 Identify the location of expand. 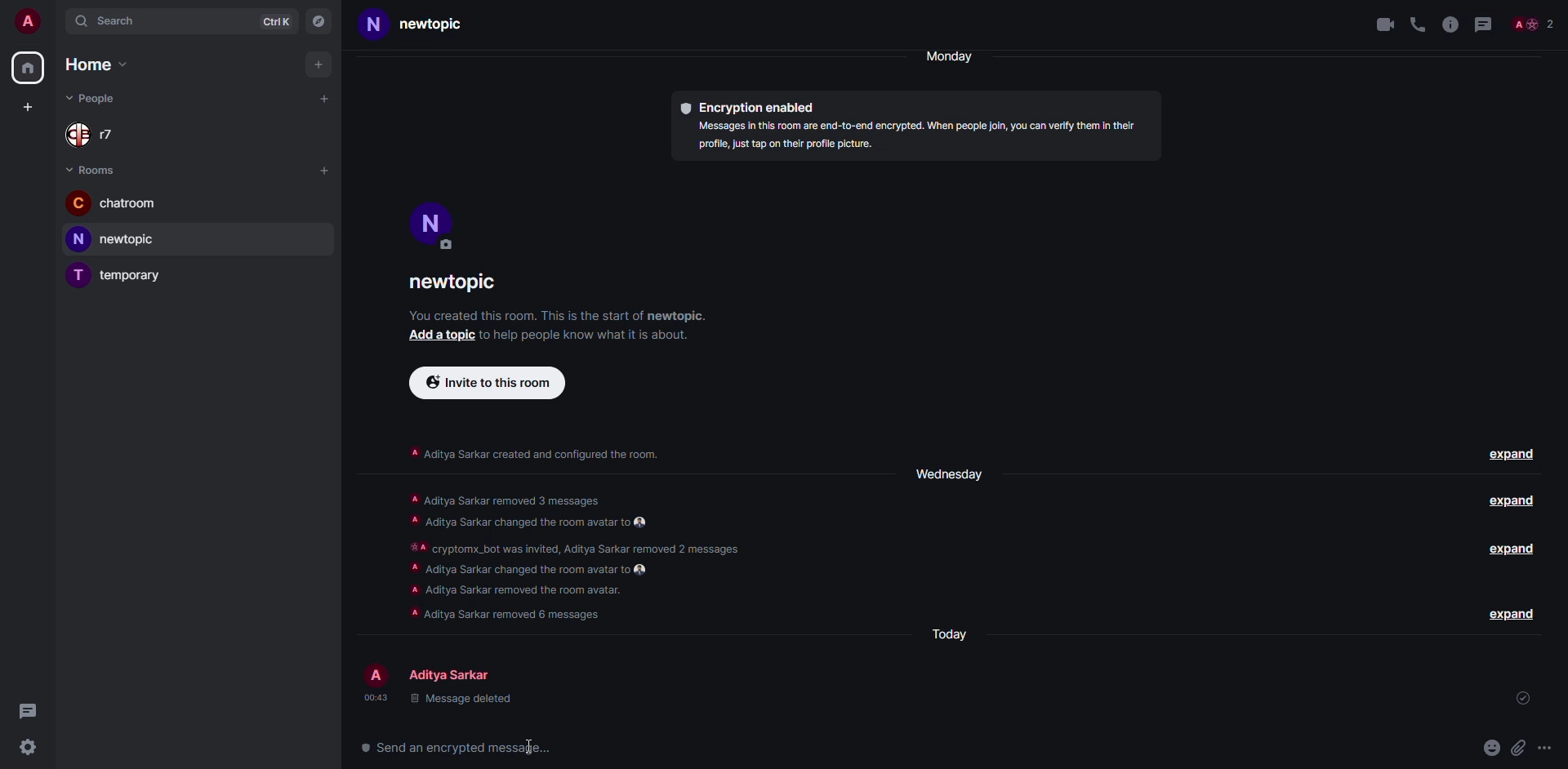
(1509, 613).